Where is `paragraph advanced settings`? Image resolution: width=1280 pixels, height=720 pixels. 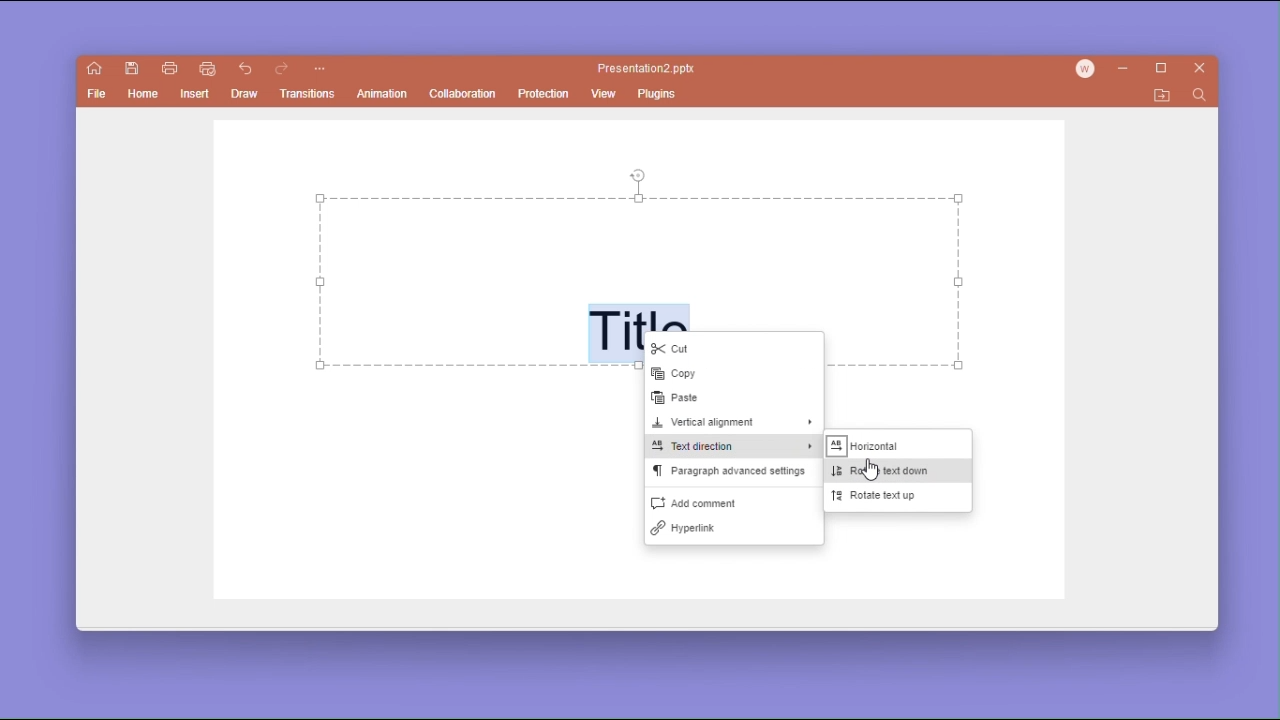 paragraph advanced settings is located at coordinates (732, 475).